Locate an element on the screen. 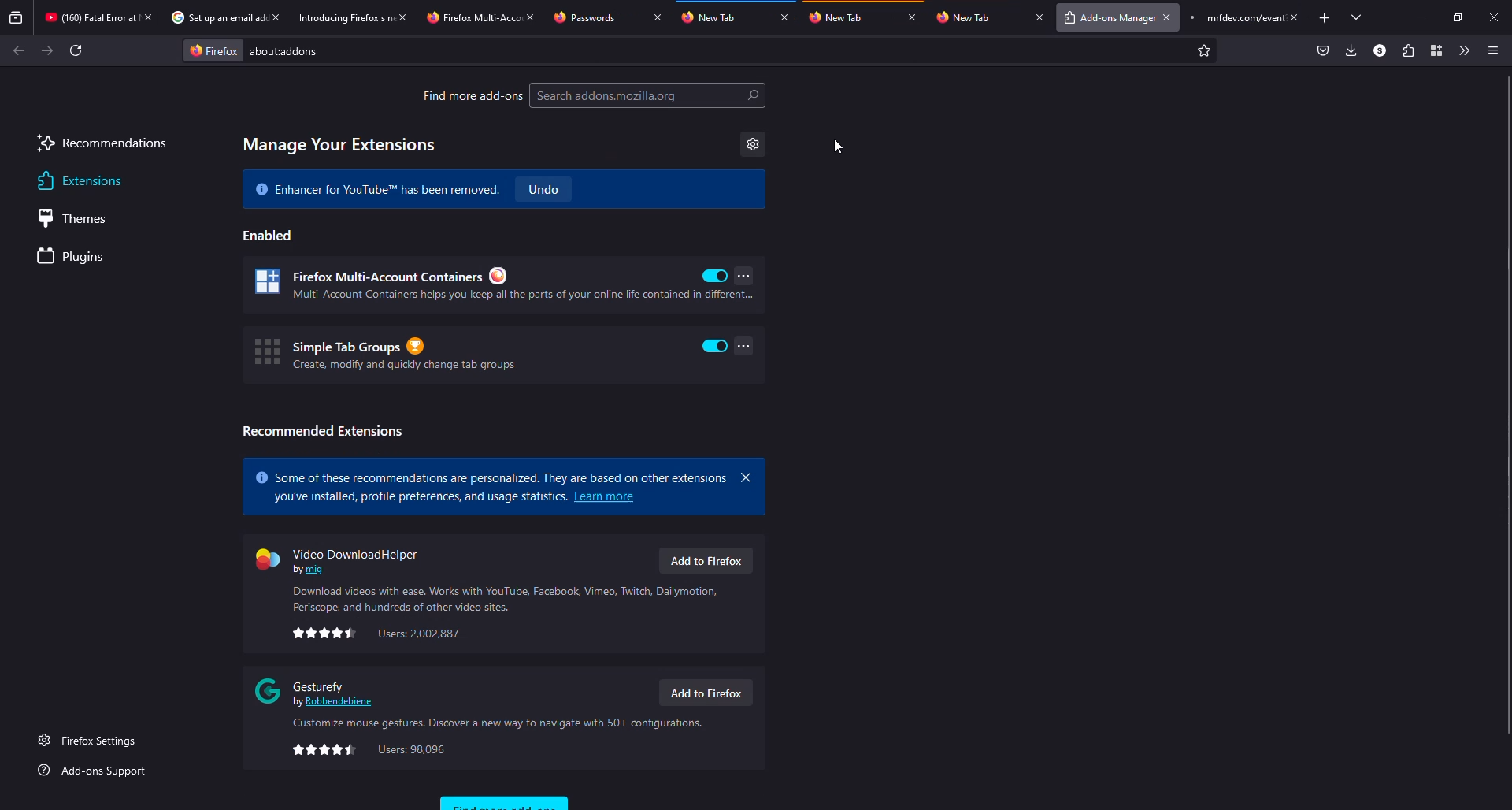 Image resolution: width=1512 pixels, height=810 pixels. info is located at coordinates (498, 723).